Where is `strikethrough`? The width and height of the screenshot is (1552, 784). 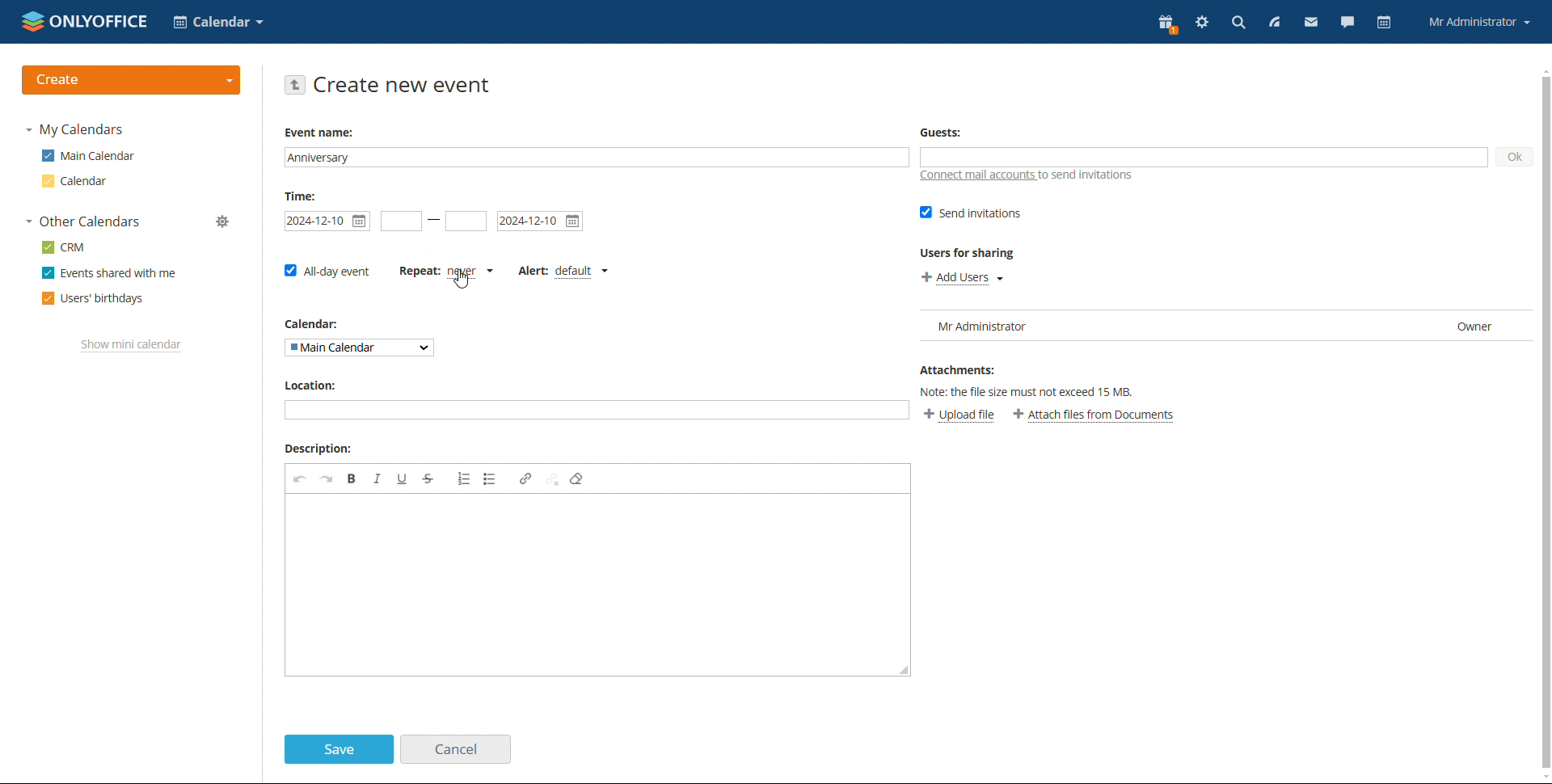
strikethrough is located at coordinates (428, 478).